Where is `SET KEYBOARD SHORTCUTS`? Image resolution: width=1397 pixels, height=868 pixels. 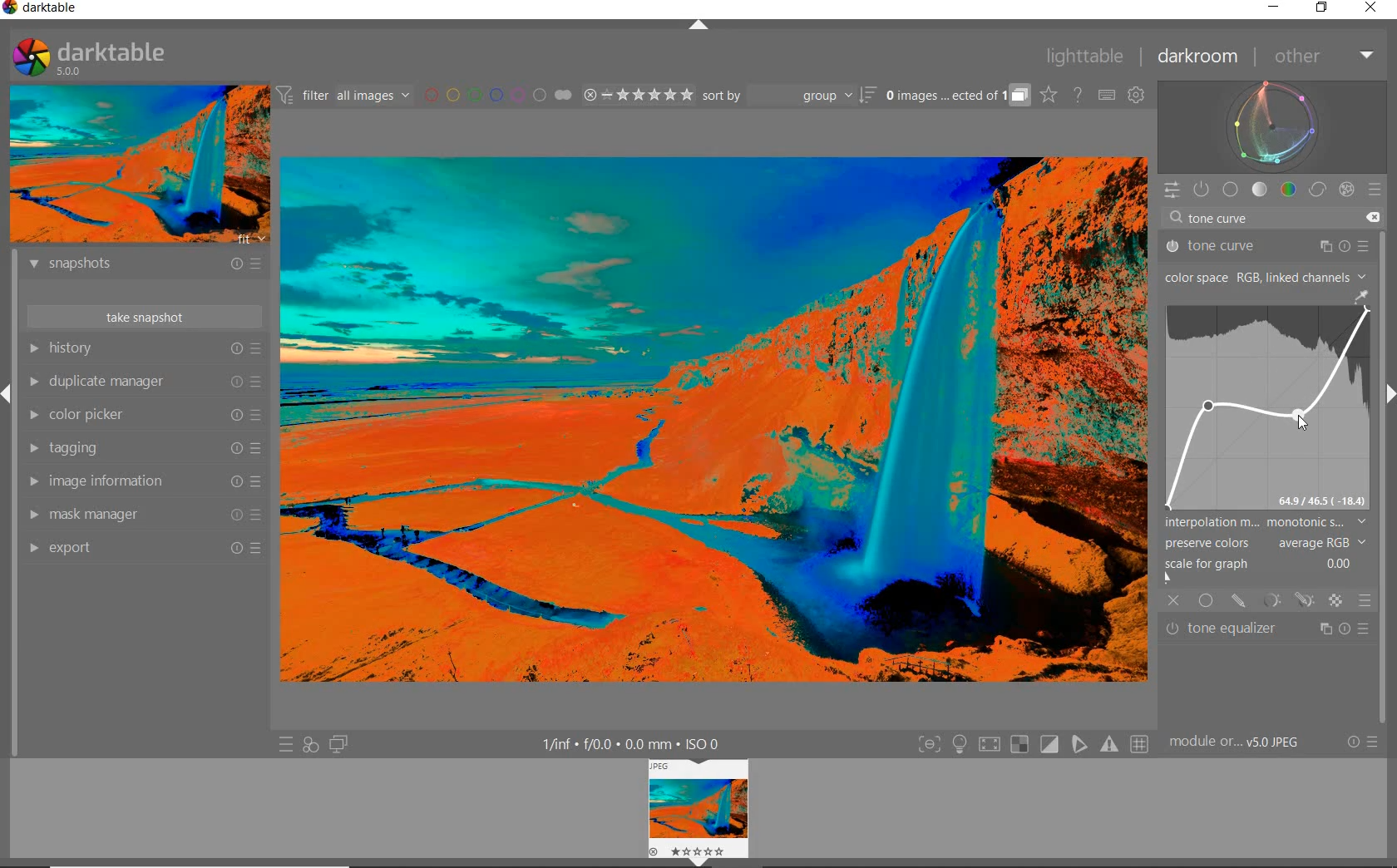
SET KEYBOARD SHORTCUTS is located at coordinates (1108, 96).